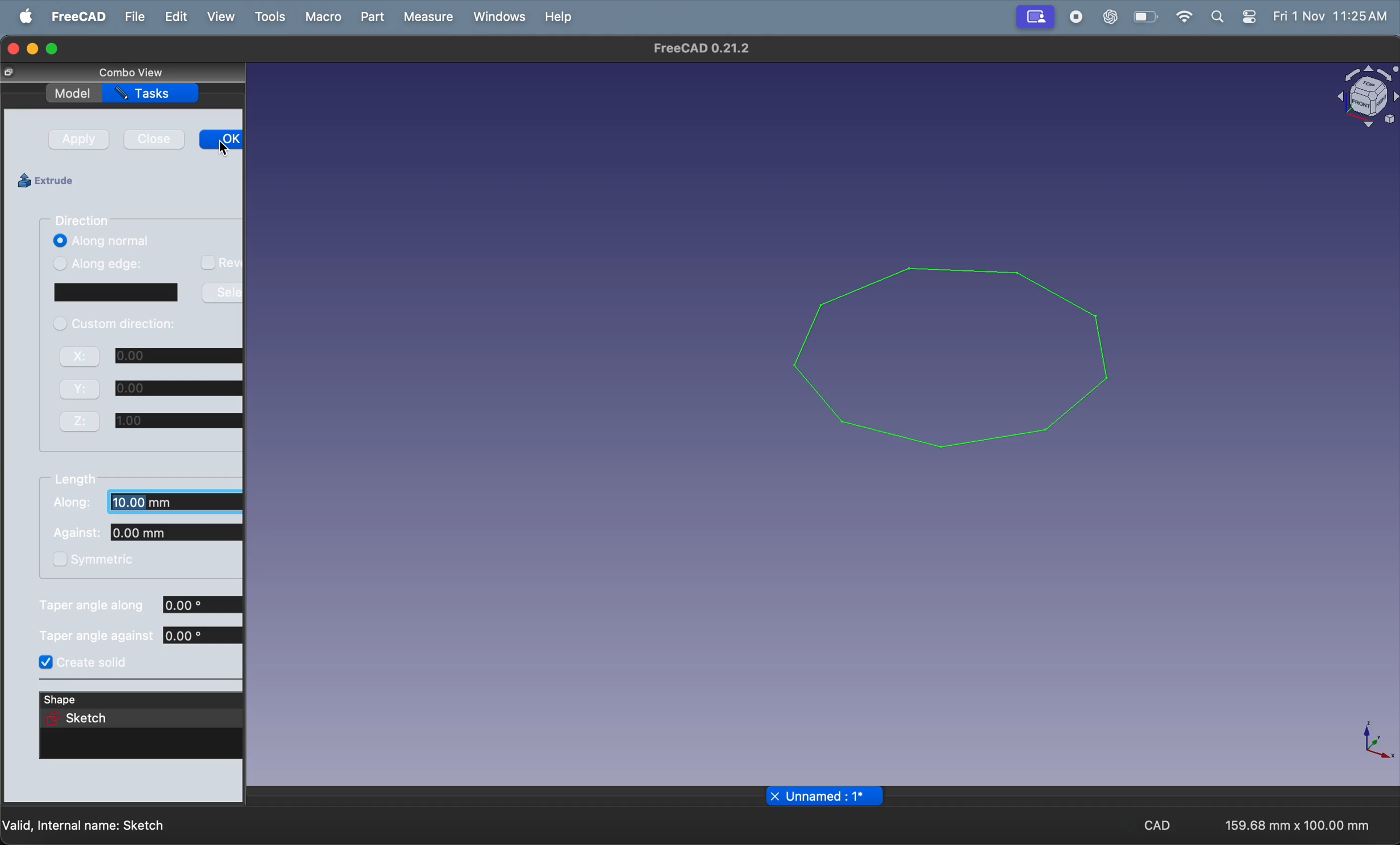  Describe the element at coordinates (61, 697) in the screenshot. I see `shape` at that location.